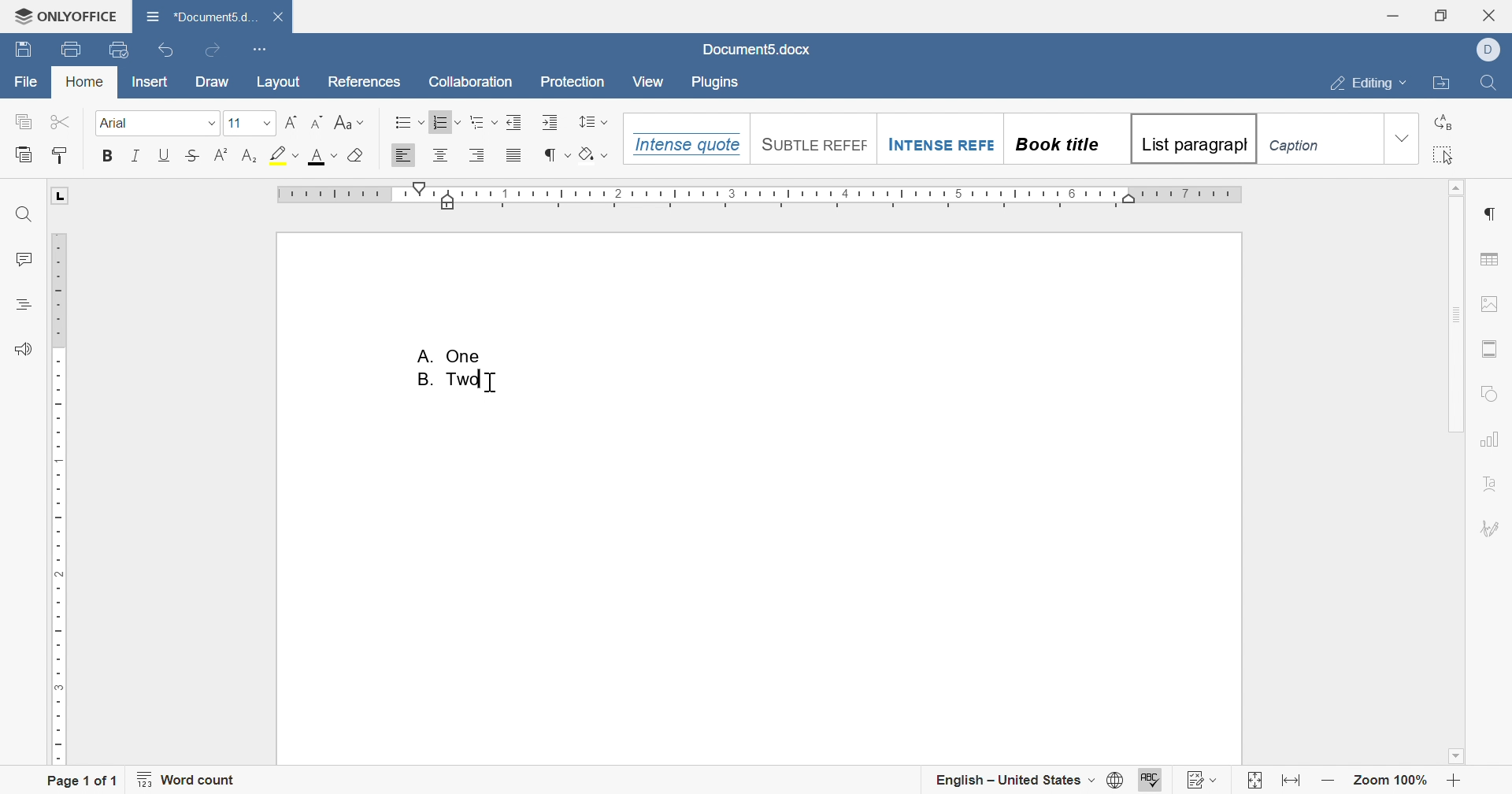 This screenshot has height=794, width=1512. Describe the element at coordinates (24, 257) in the screenshot. I see `comments` at that location.